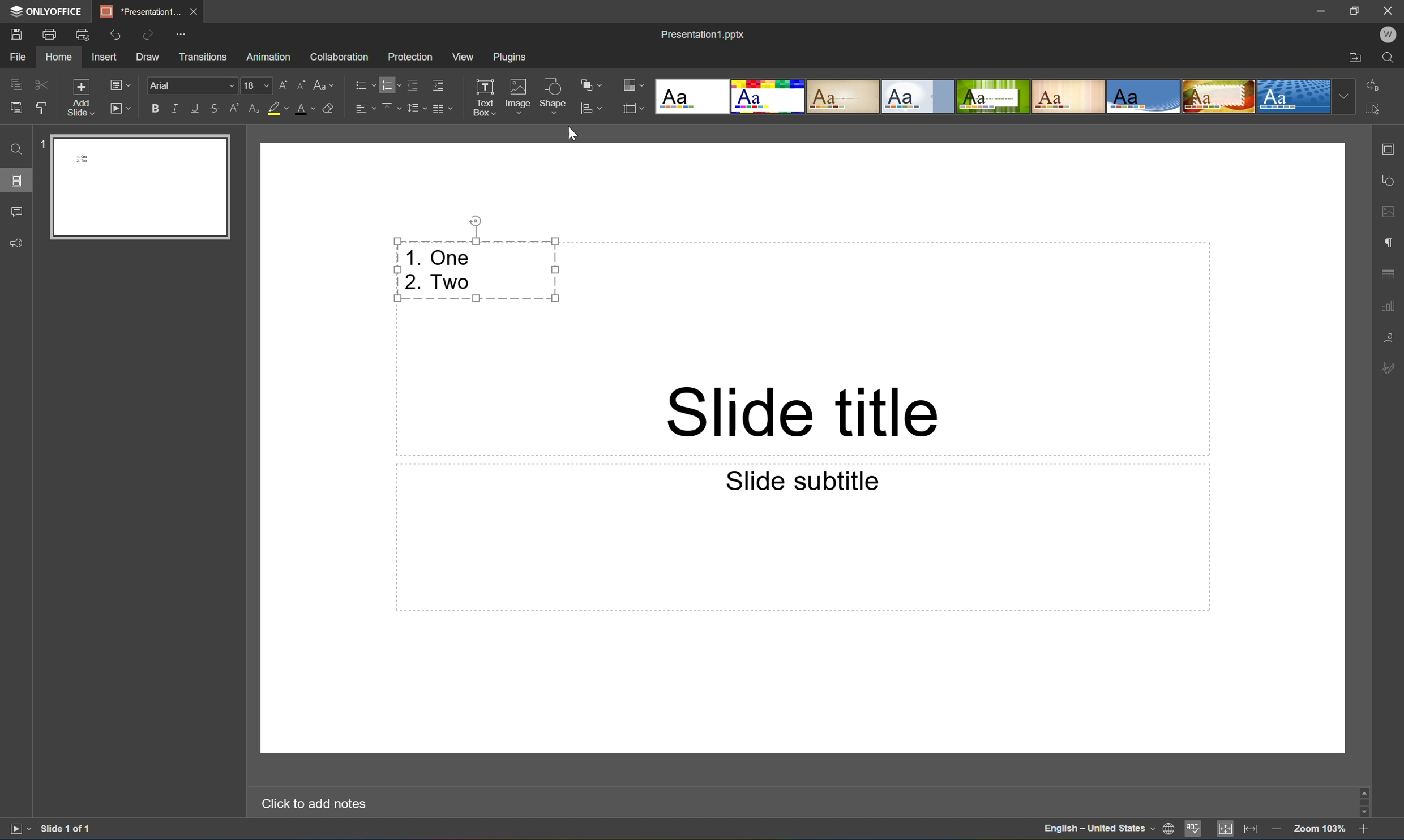 The height and width of the screenshot is (840, 1404). I want to click on Clear style, so click(330, 107).